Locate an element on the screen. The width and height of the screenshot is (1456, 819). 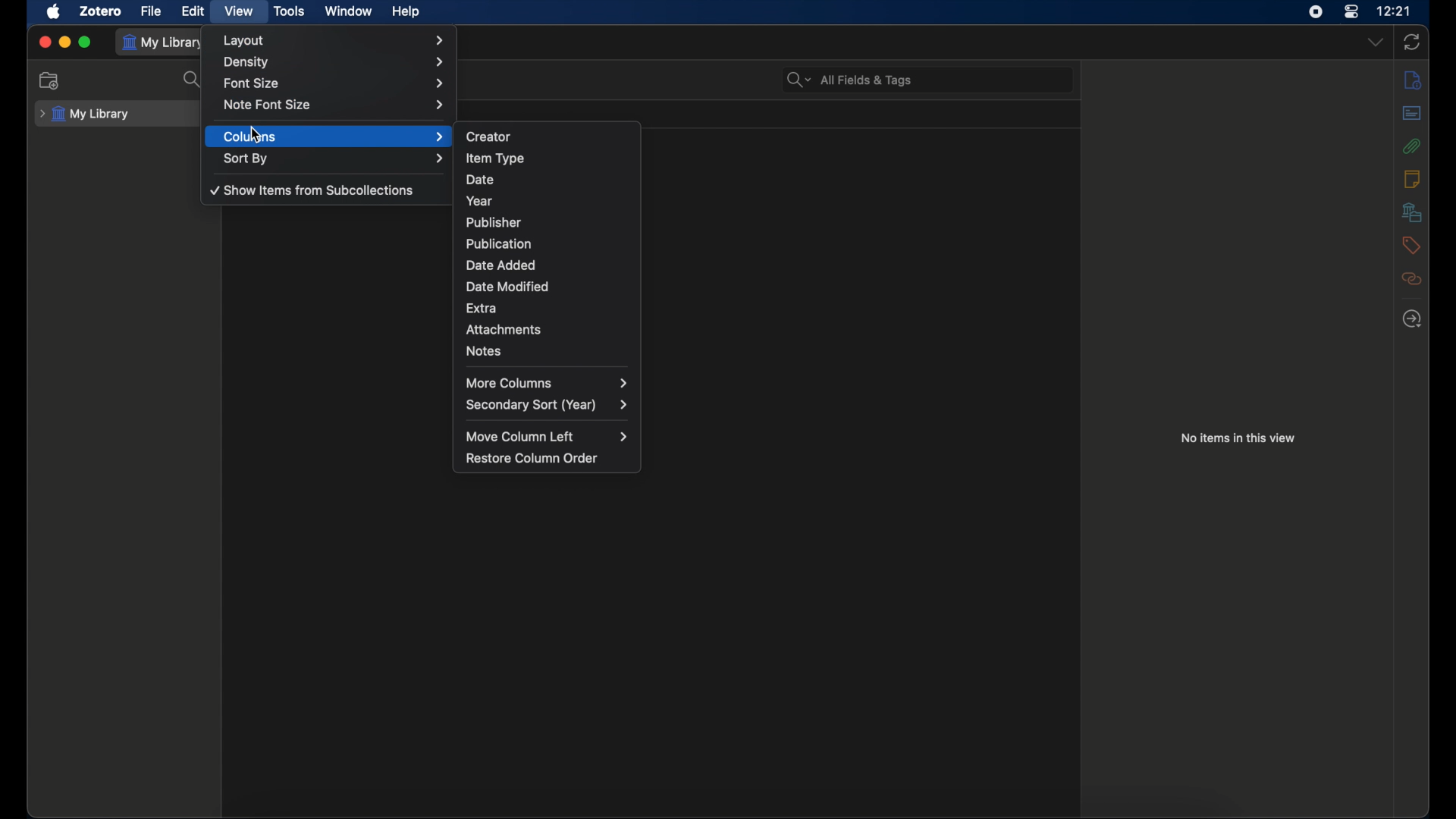
screen recorder is located at coordinates (1316, 12).